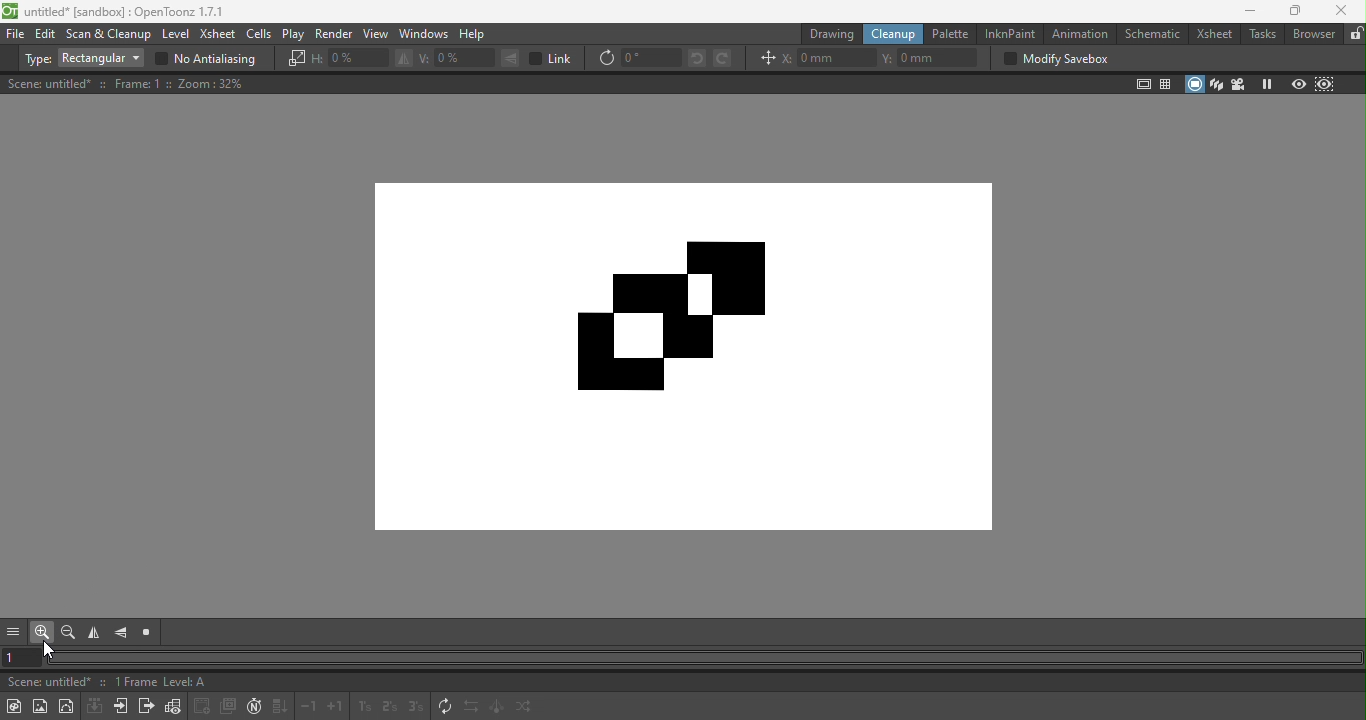 This screenshot has width=1366, height=720. What do you see at coordinates (48, 84) in the screenshot?
I see `Object name` at bounding box center [48, 84].